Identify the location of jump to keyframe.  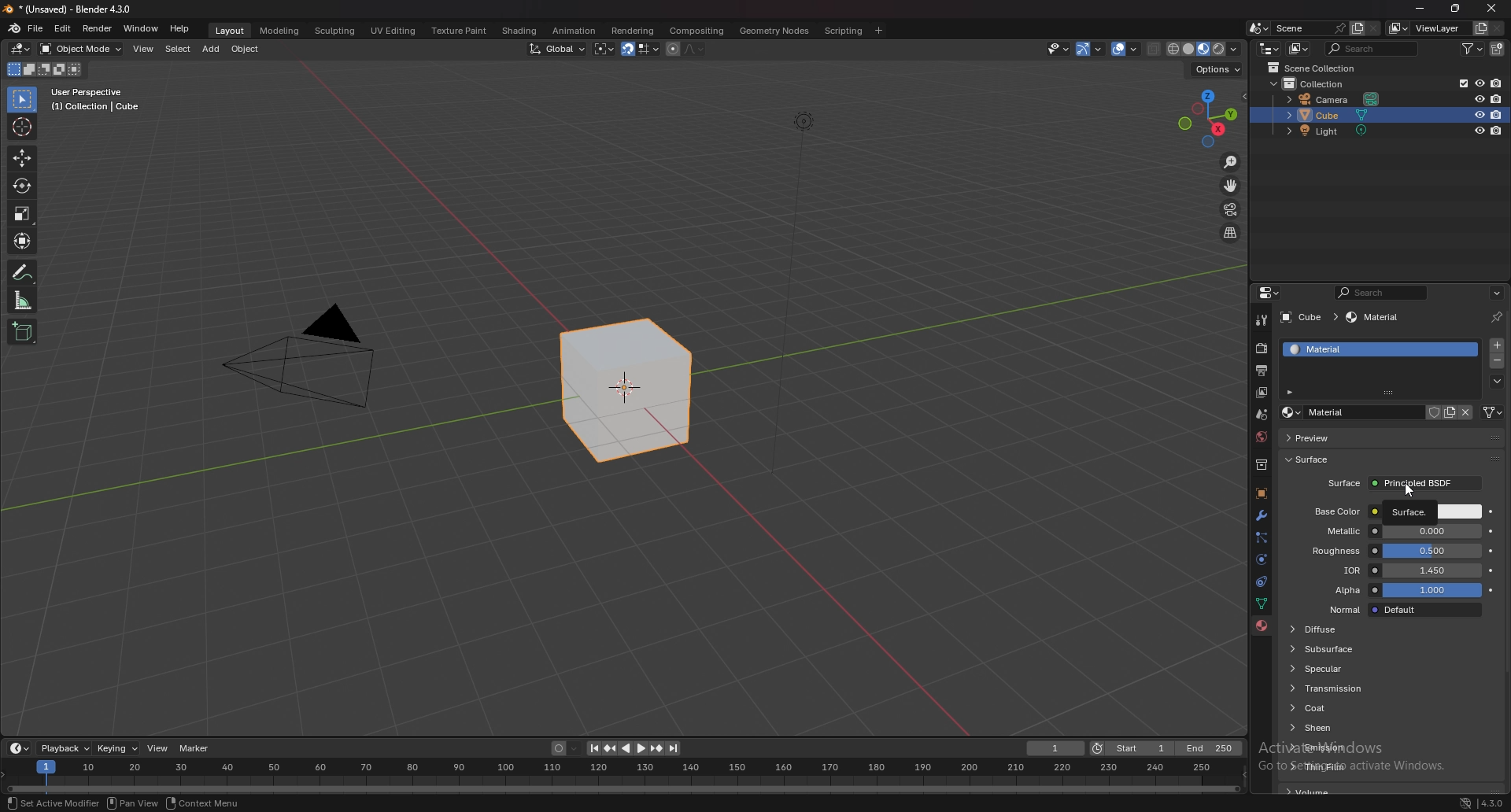
(609, 748).